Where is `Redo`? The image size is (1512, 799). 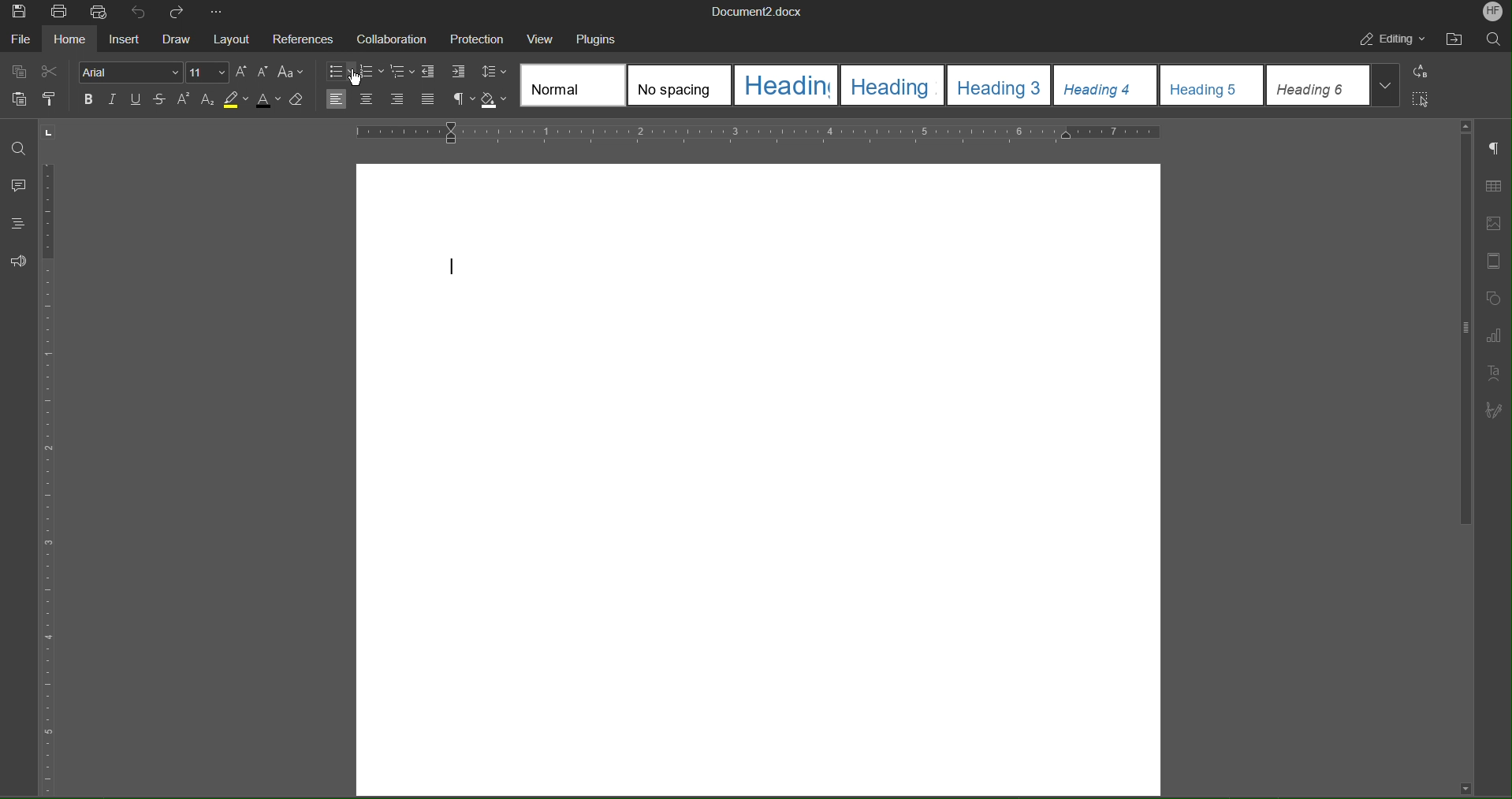
Redo is located at coordinates (180, 13).